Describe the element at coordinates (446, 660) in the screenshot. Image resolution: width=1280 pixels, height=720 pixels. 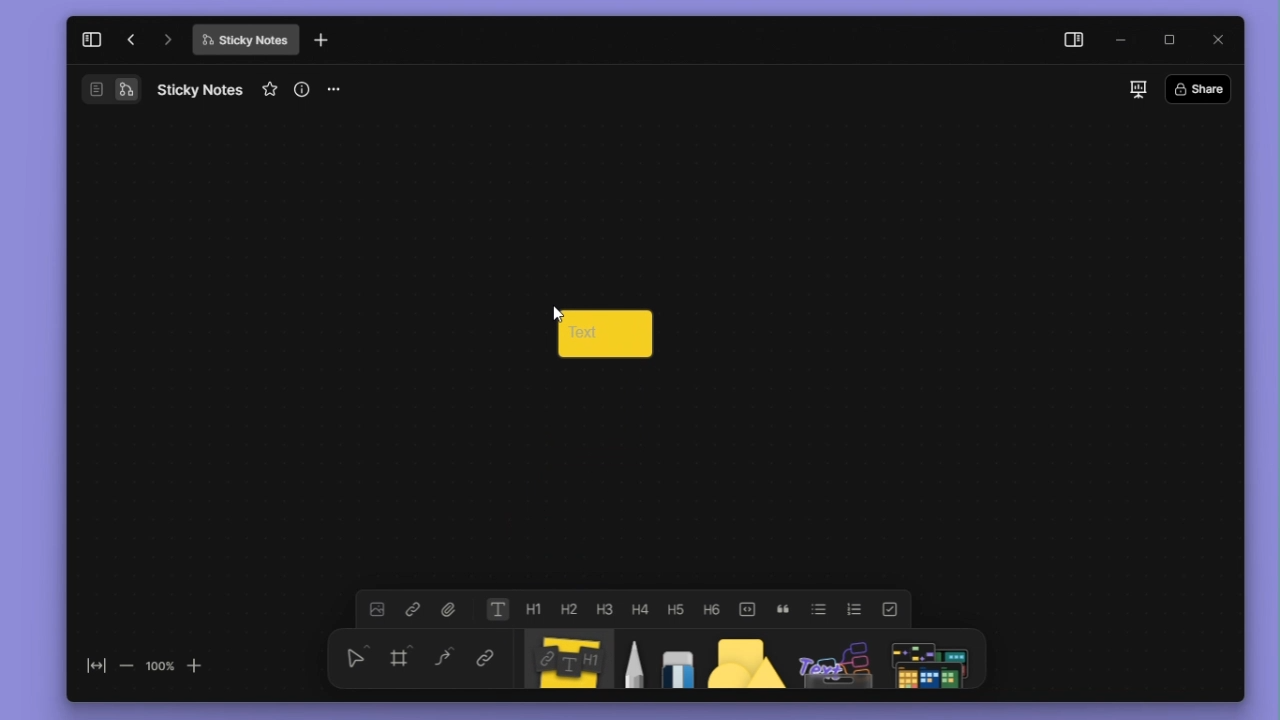
I see `curve` at that location.